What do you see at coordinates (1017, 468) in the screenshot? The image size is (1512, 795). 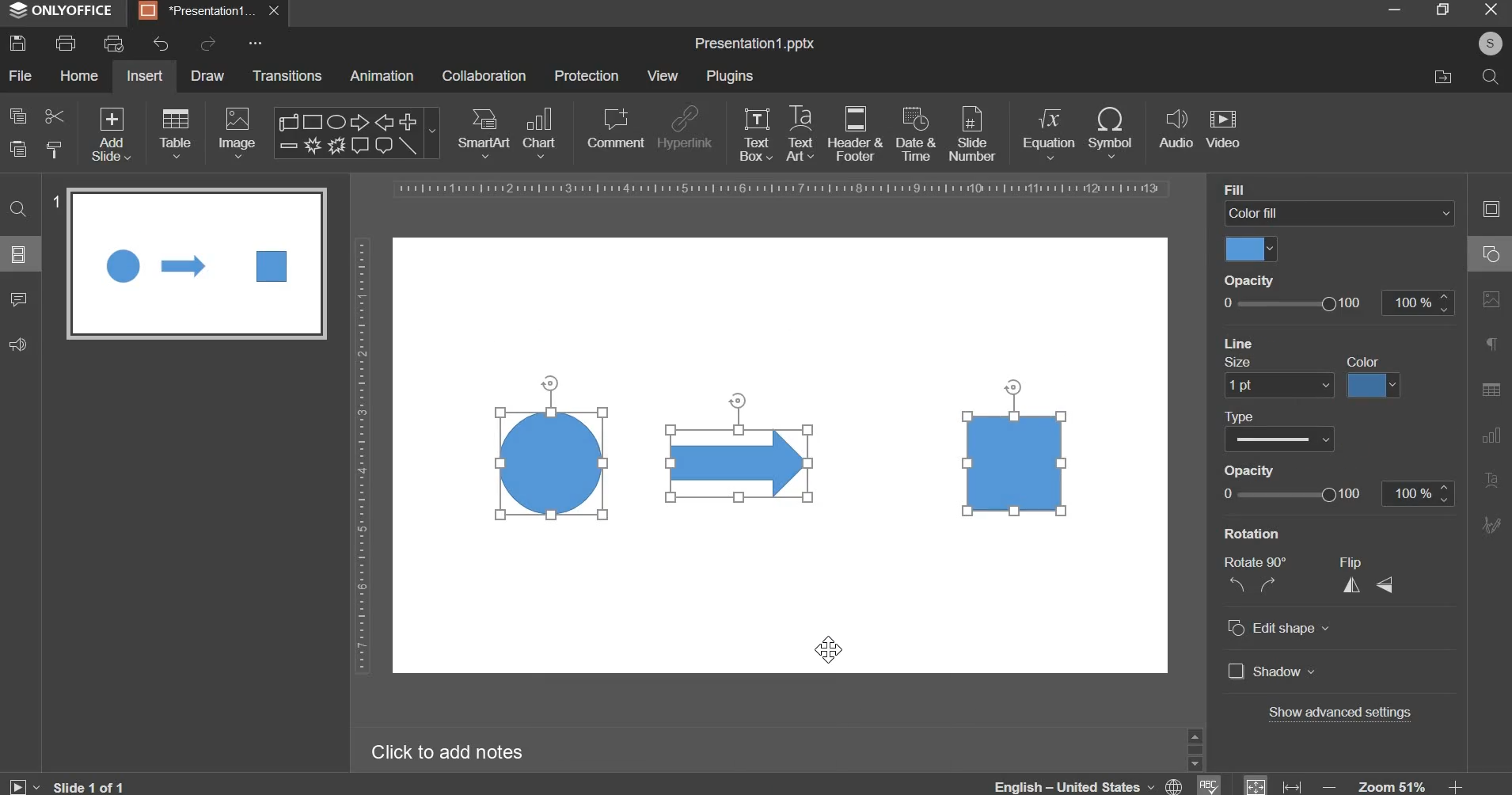 I see `object 3` at bounding box center [1017, 468].